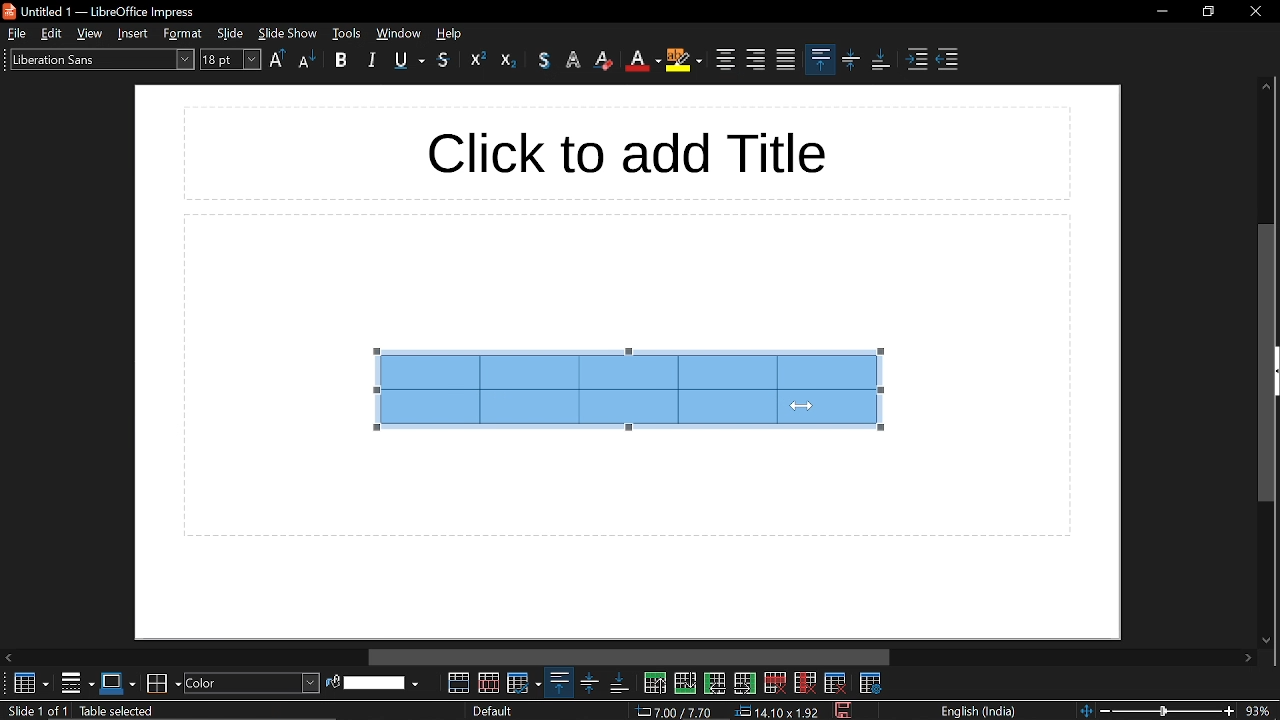 This screenshot has width=1280, height=720. What do you see at coordinates (574, 58) in the screenshot?
I see `highlight` at bounding box center [574, 58].